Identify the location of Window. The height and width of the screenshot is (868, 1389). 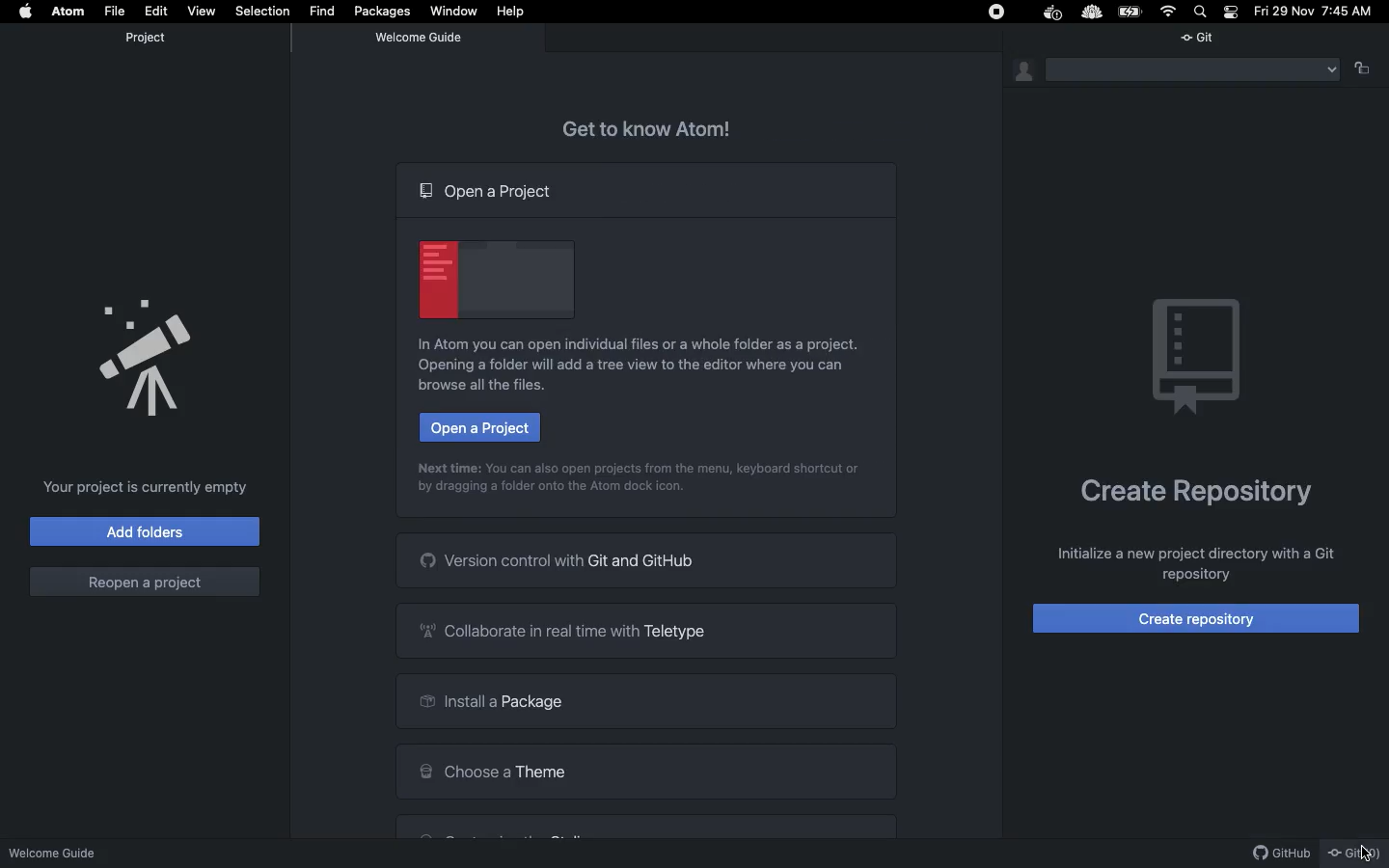
(457, 14).